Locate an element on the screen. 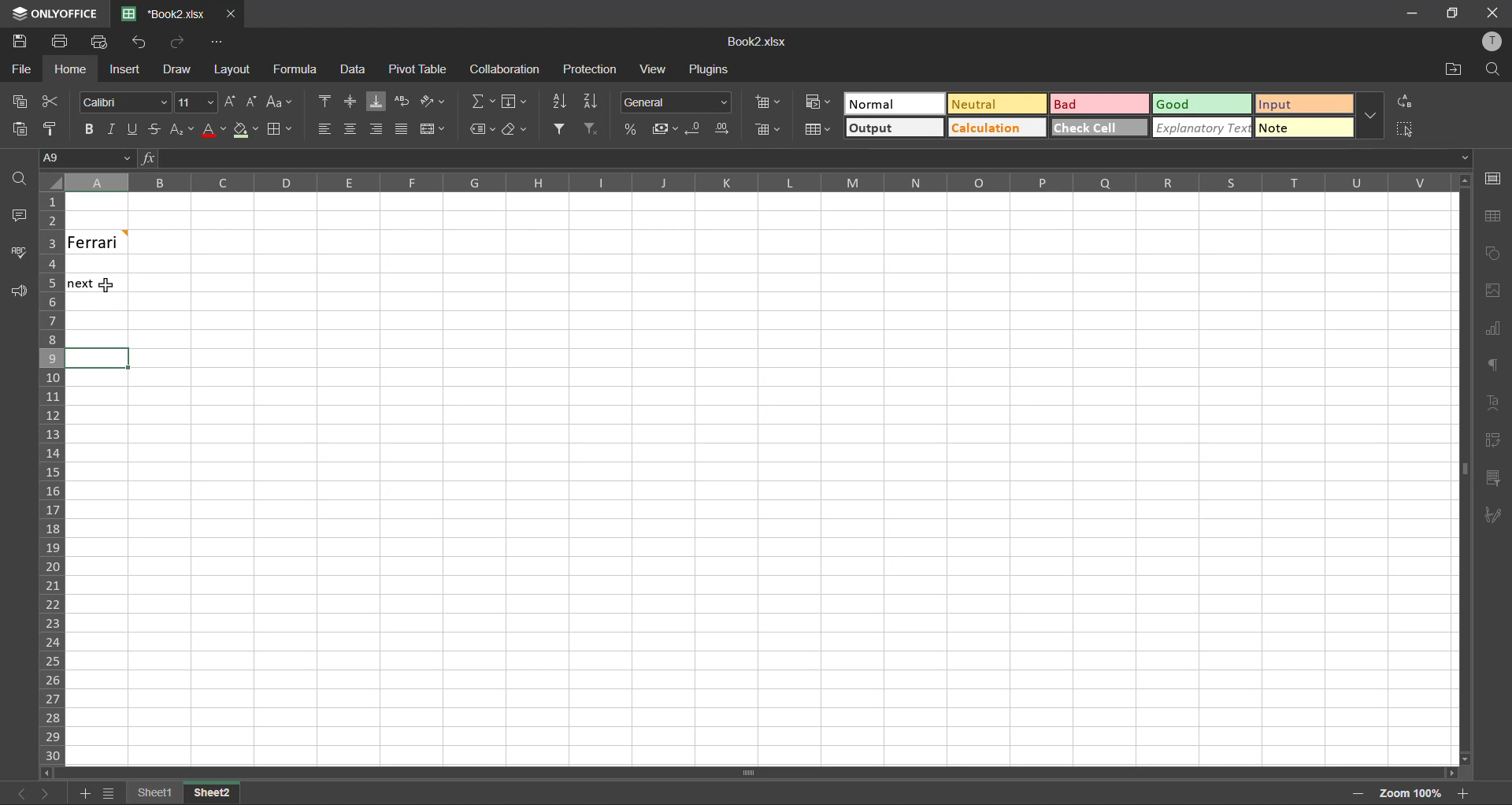 This screenshot has height=805, width=1512. paste is located at coordinates (15, 128).